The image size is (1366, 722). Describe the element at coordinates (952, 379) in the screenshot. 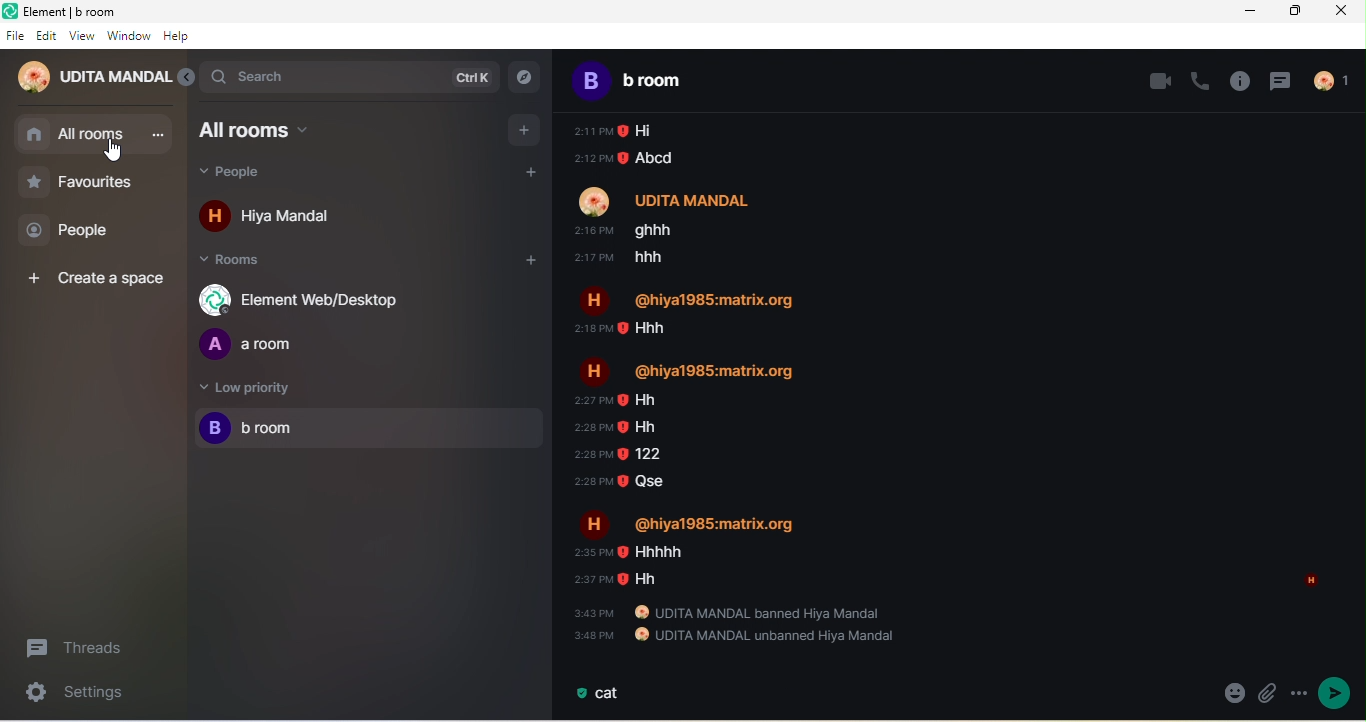

I see `older chat` at that location.